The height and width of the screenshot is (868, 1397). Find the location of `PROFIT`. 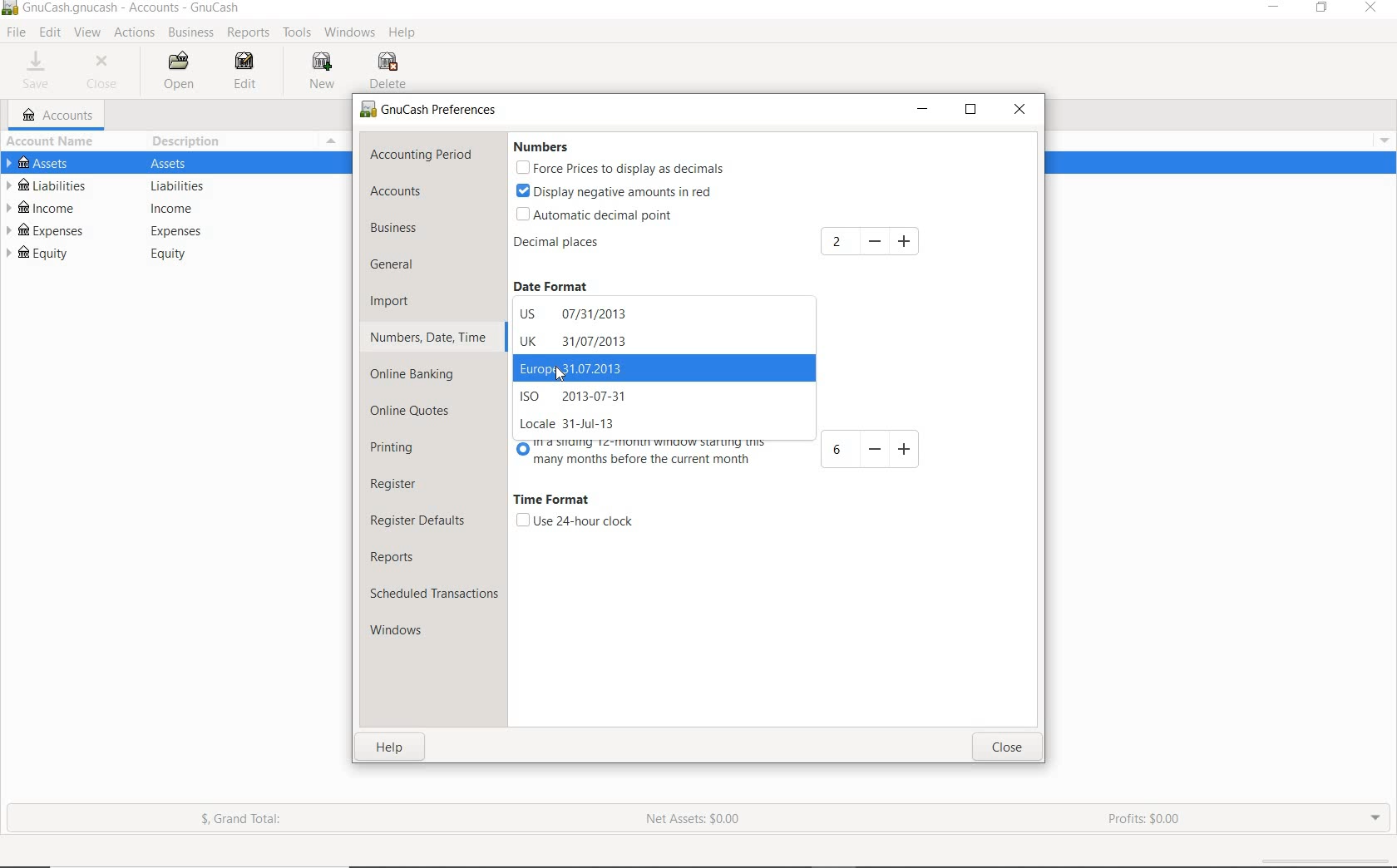

PROFIT is located at coordinates (1147, 820).